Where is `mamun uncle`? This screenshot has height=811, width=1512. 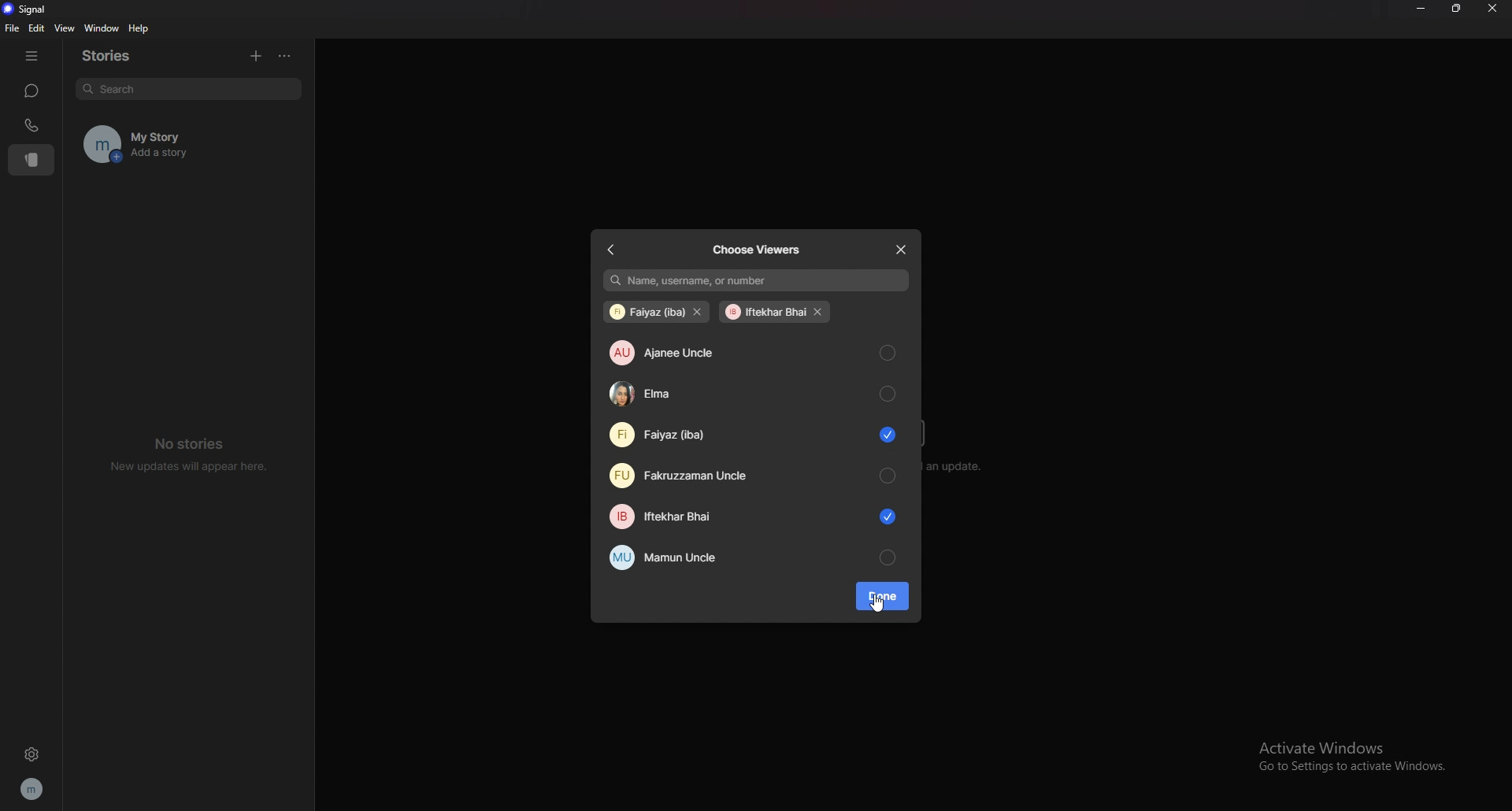
mamun uncle is located at coordinates (754, 556).